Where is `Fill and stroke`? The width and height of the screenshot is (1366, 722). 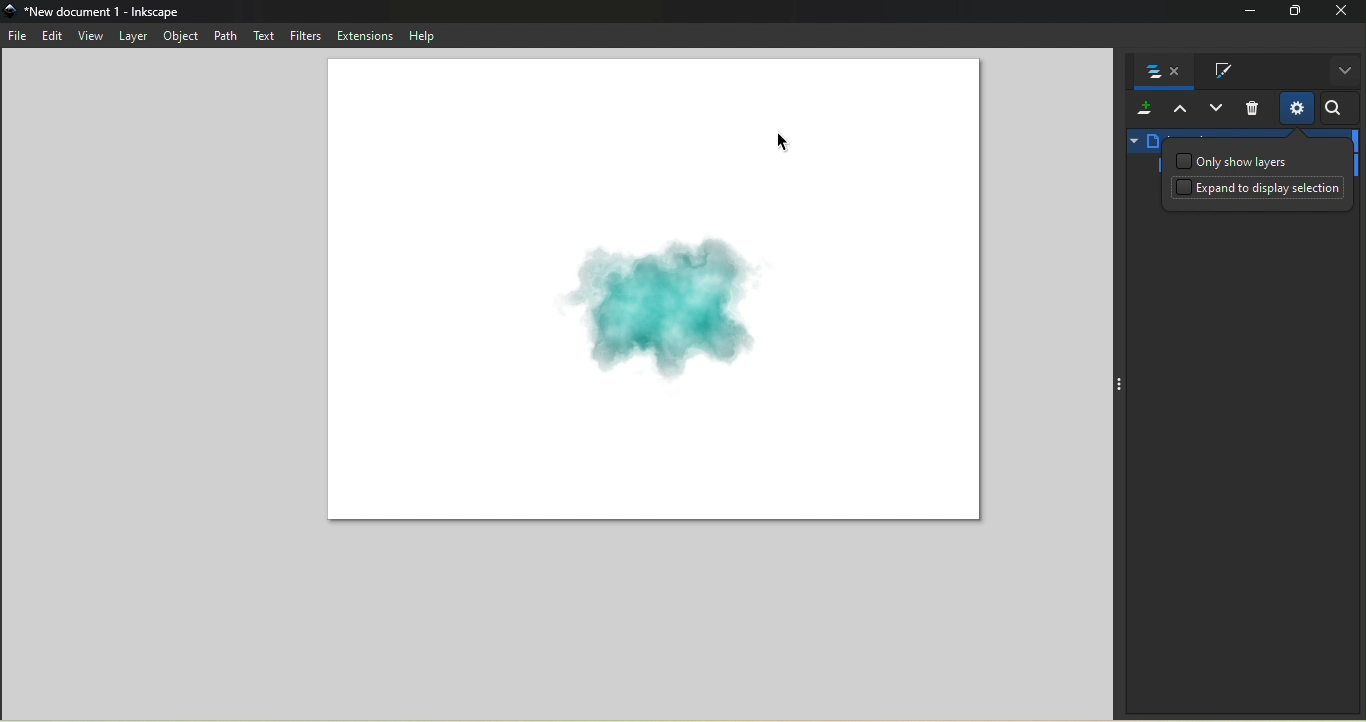
Fill and stroke is located at coordinates (1215, 72).